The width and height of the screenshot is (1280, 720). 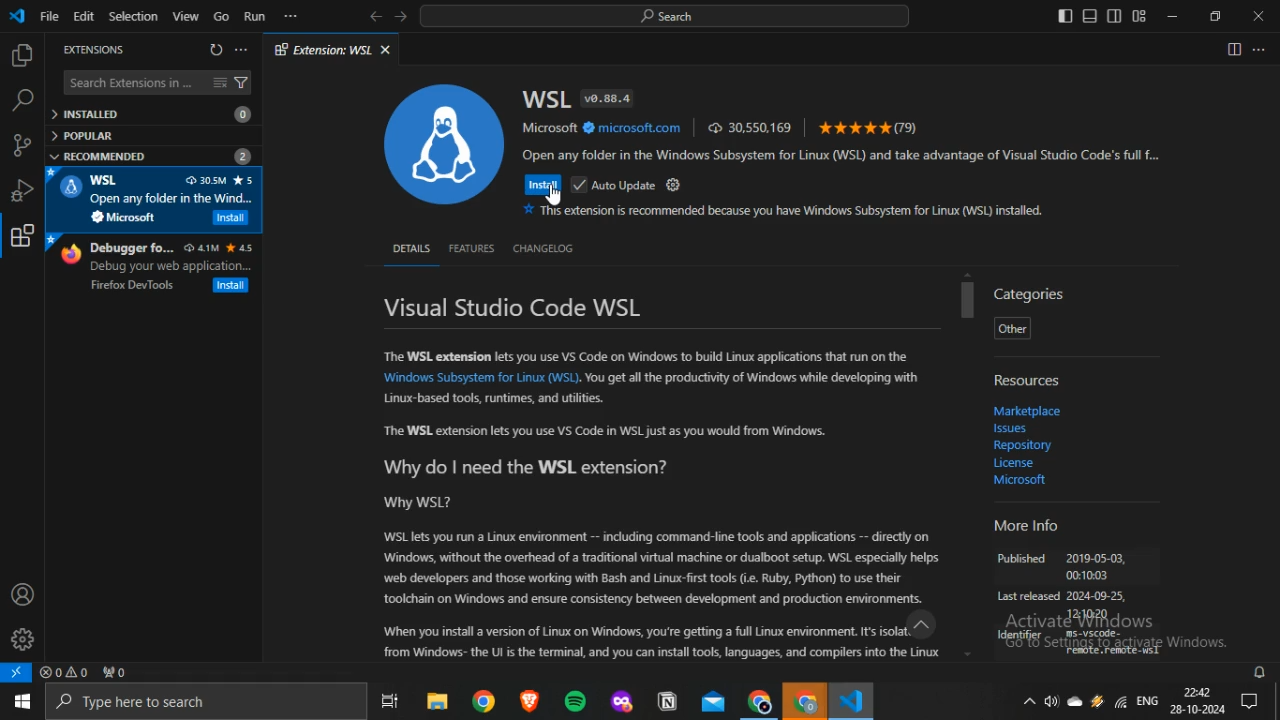 I want to click on Notifications, so click(x=1251, y=701).